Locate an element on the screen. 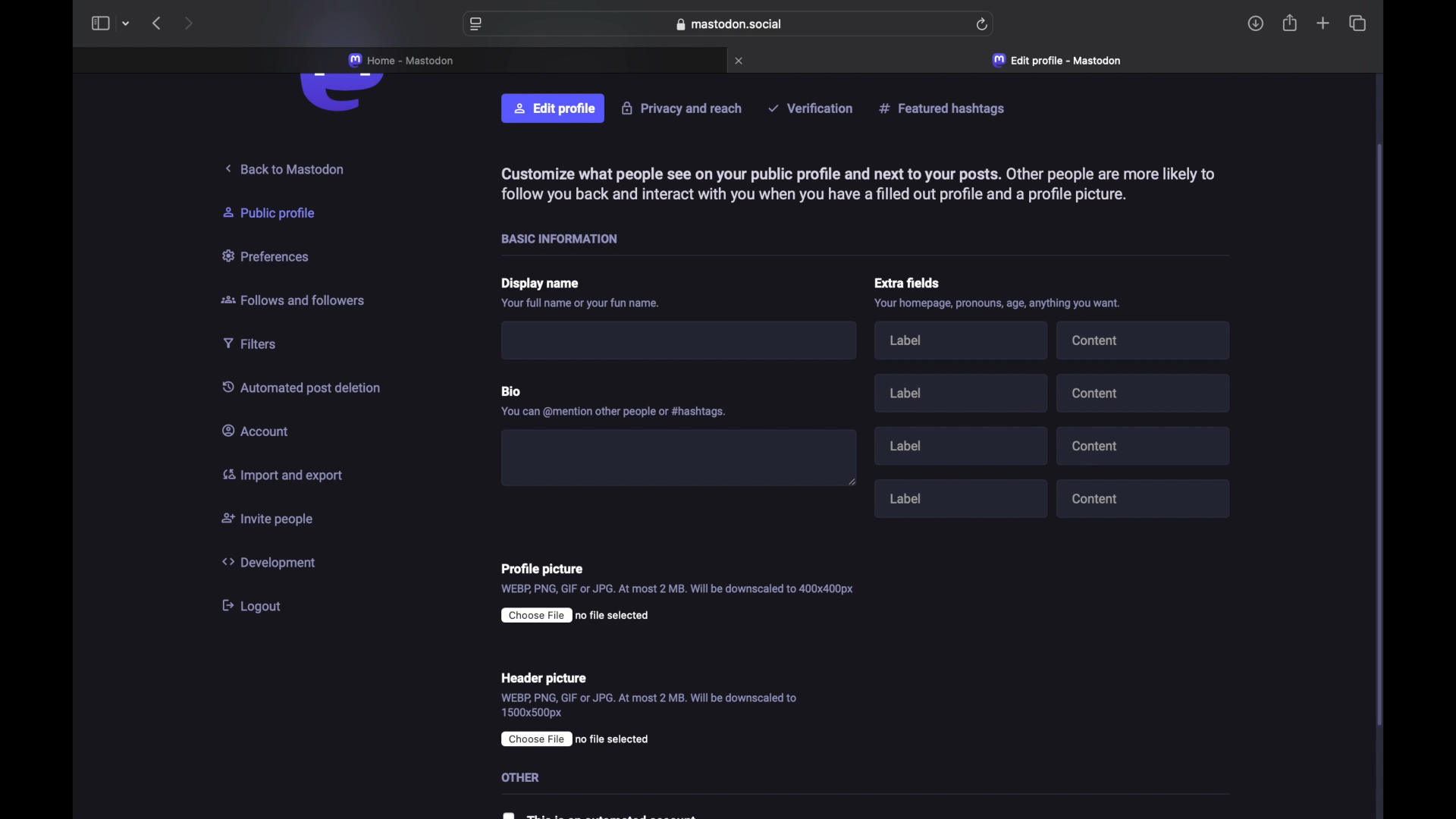  obscured text is located at coordinates (598, 813).